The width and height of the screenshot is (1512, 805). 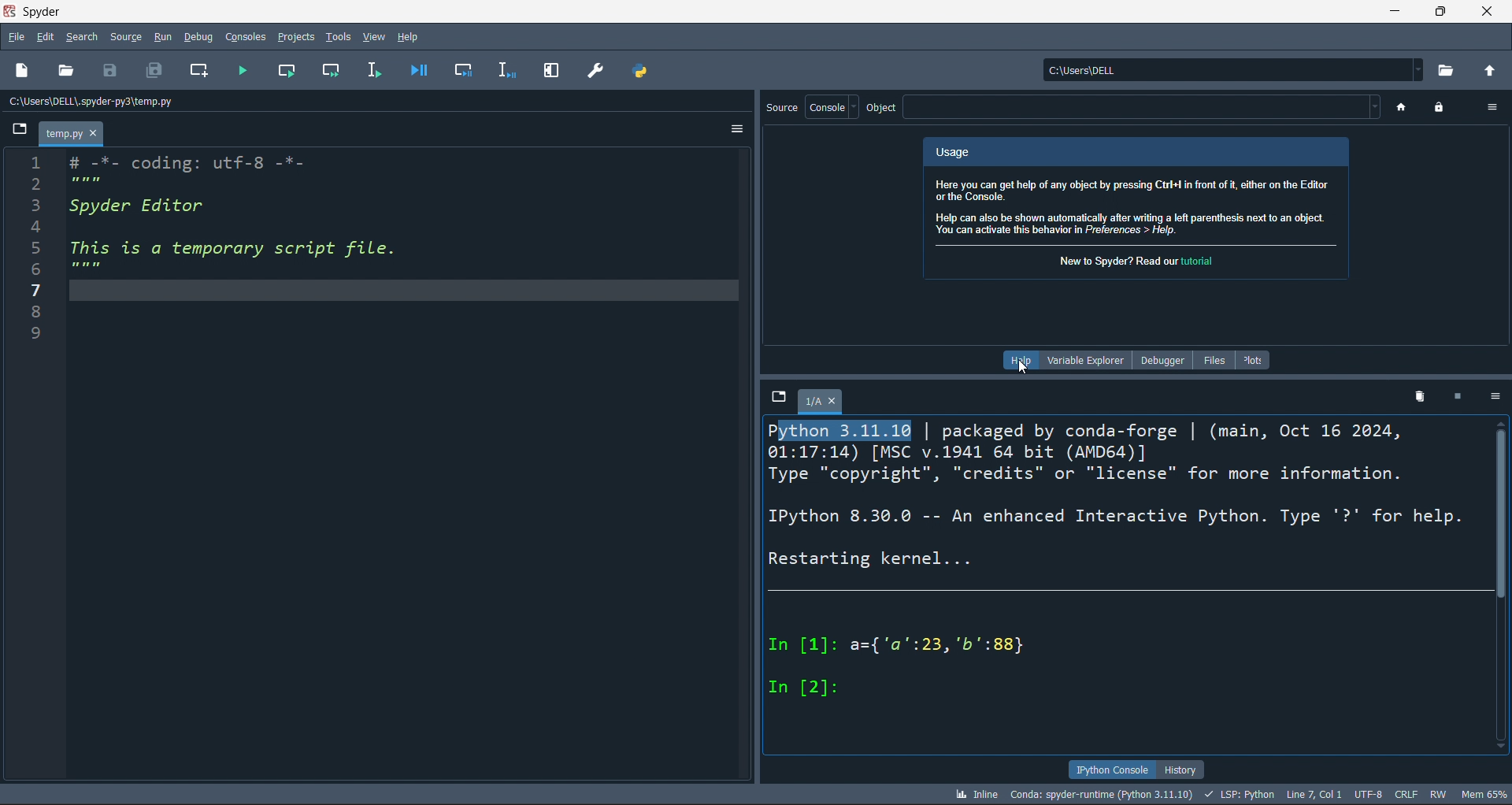 What do you see at coordinates (1458, 399) in the screenshot?
I see `stop kernel` at bounding box center [1458, 399].